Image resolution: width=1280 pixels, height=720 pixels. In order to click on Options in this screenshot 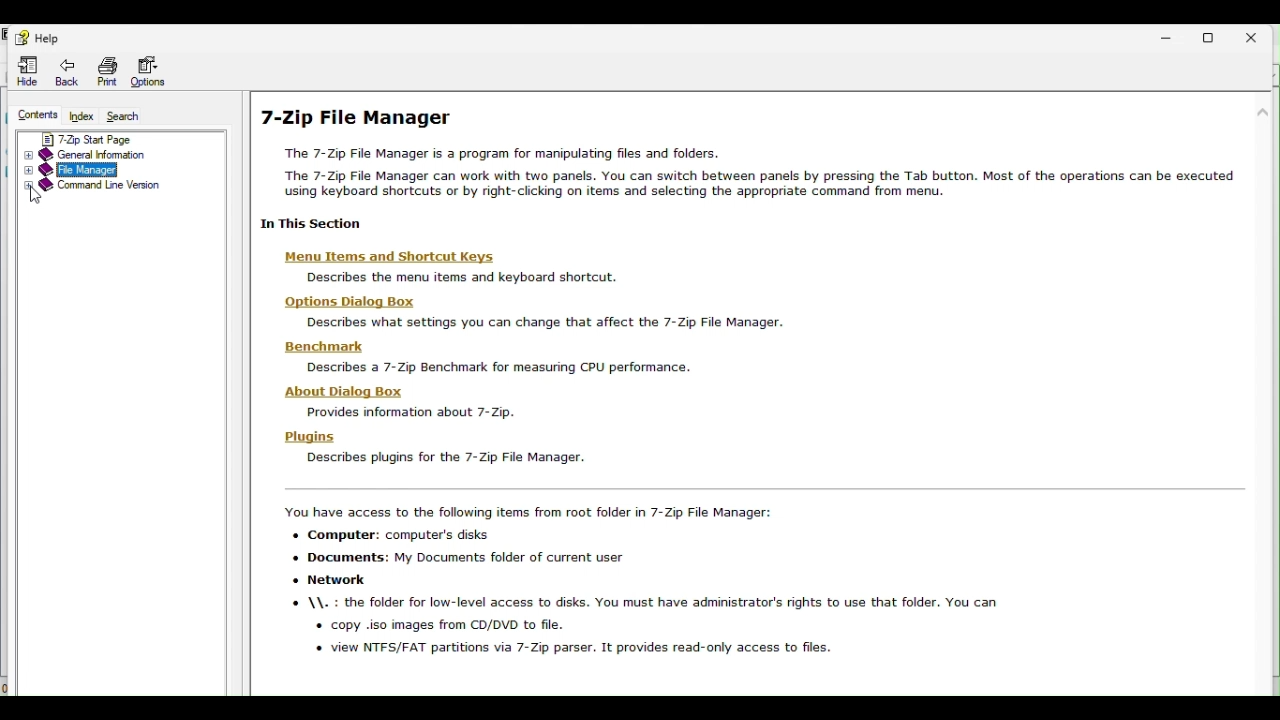, I will do `click(156, 74)`.